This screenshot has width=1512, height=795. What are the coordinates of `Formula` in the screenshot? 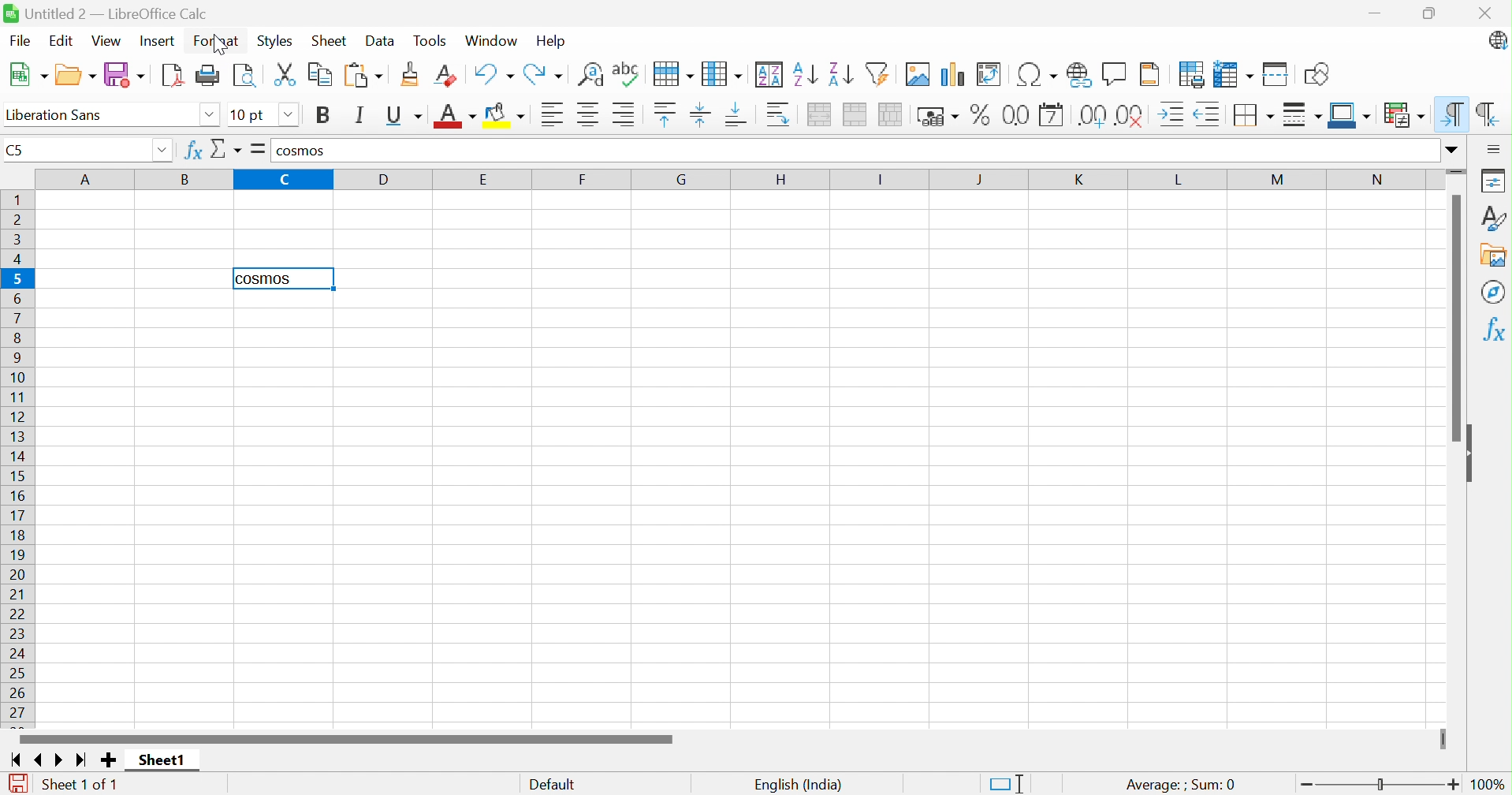 It's located at (258, 148).